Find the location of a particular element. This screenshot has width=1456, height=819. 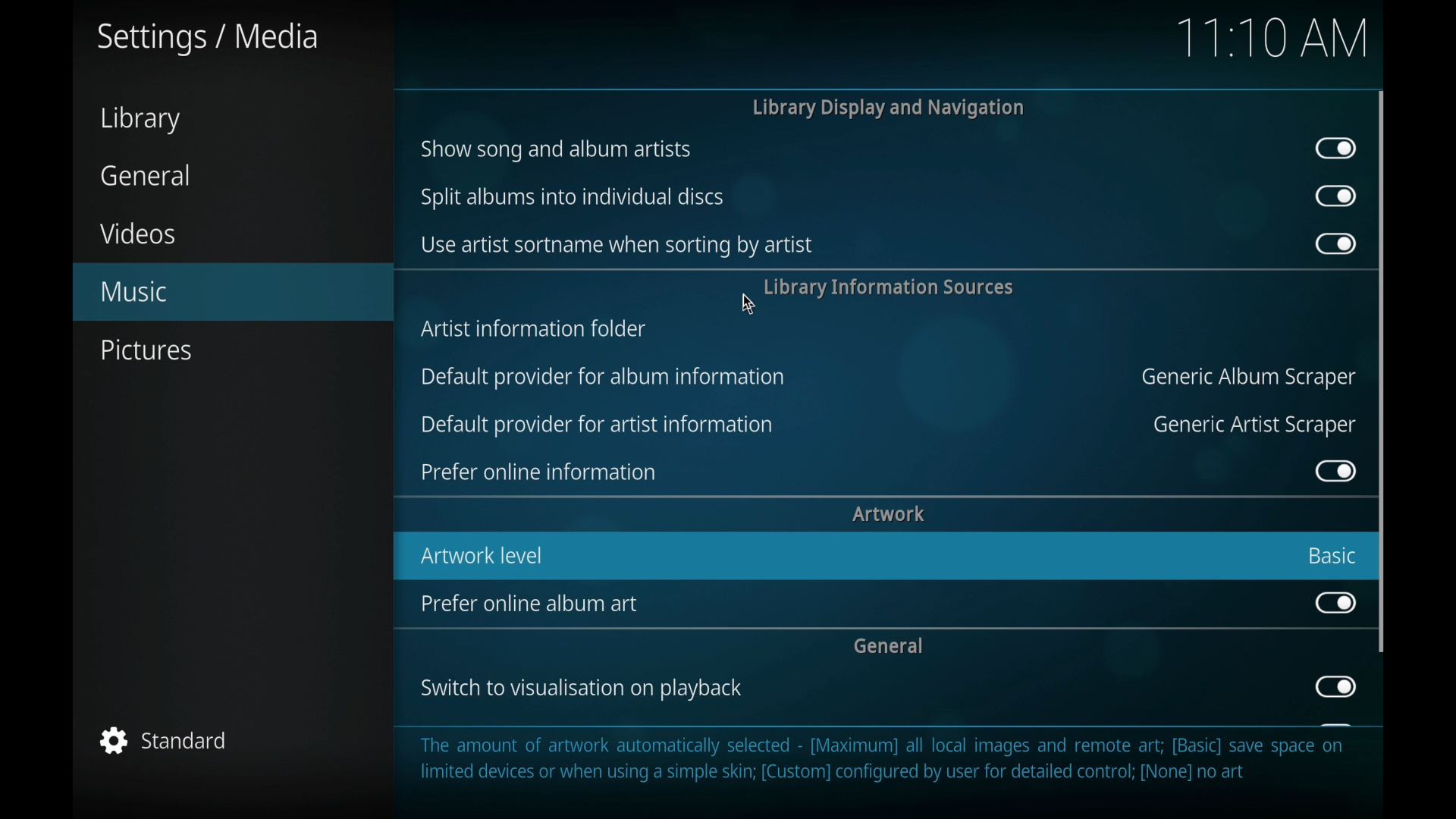

prefer online album art is located at coordinates (529, 605).